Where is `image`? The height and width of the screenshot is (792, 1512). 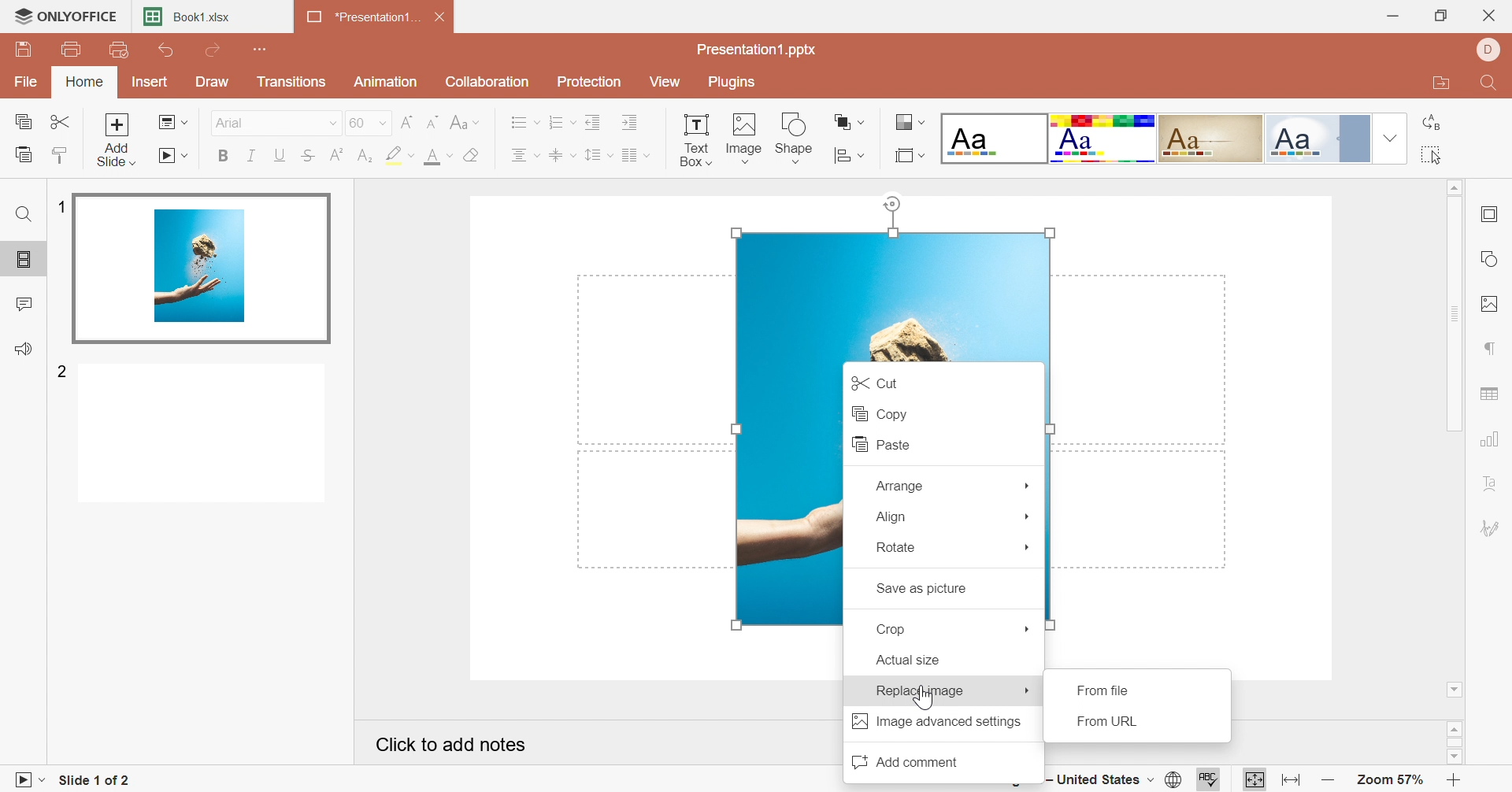 image is located at coordinates (888, 294).